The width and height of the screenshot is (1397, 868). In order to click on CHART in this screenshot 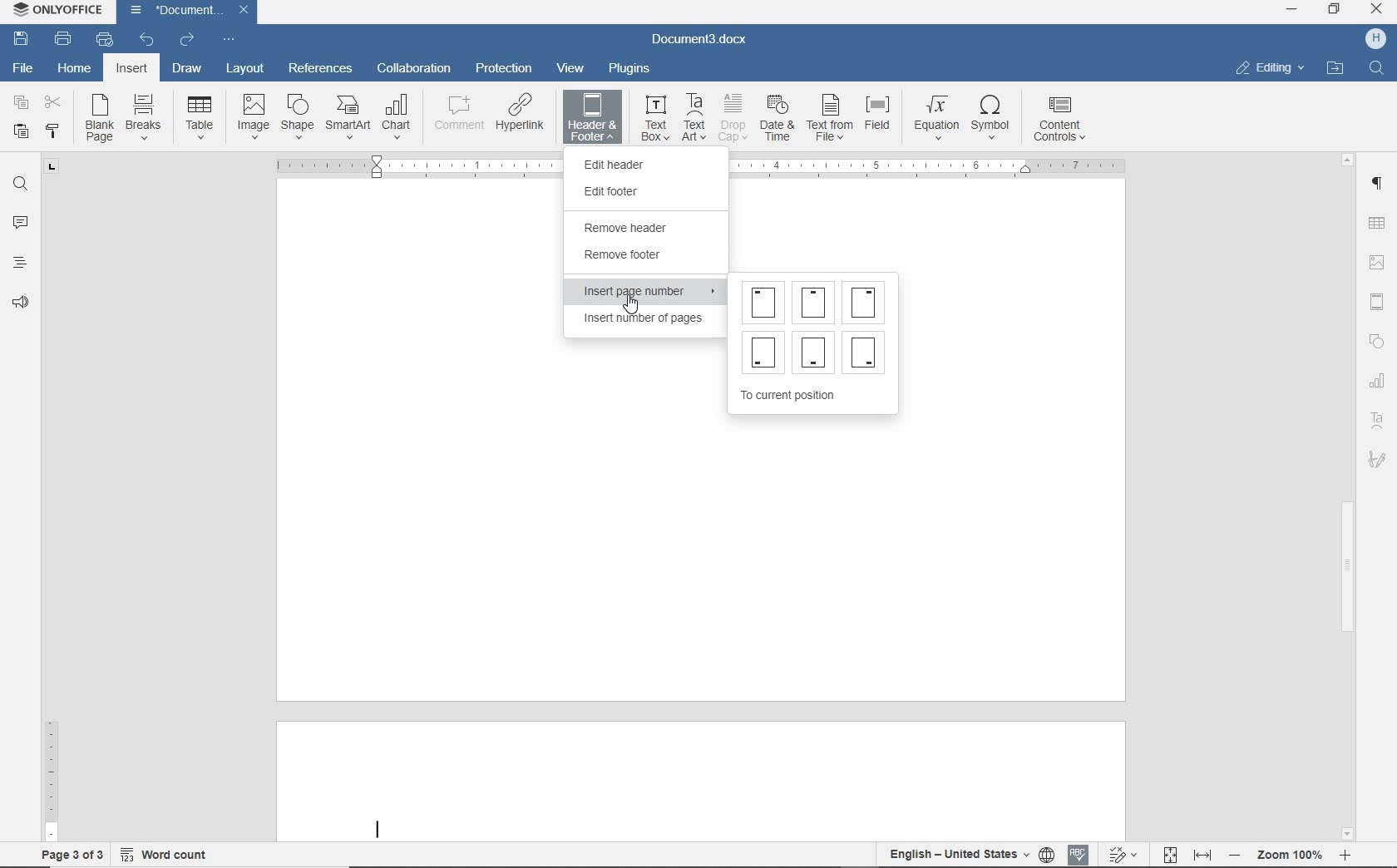, I will do `click(398, 117)`.